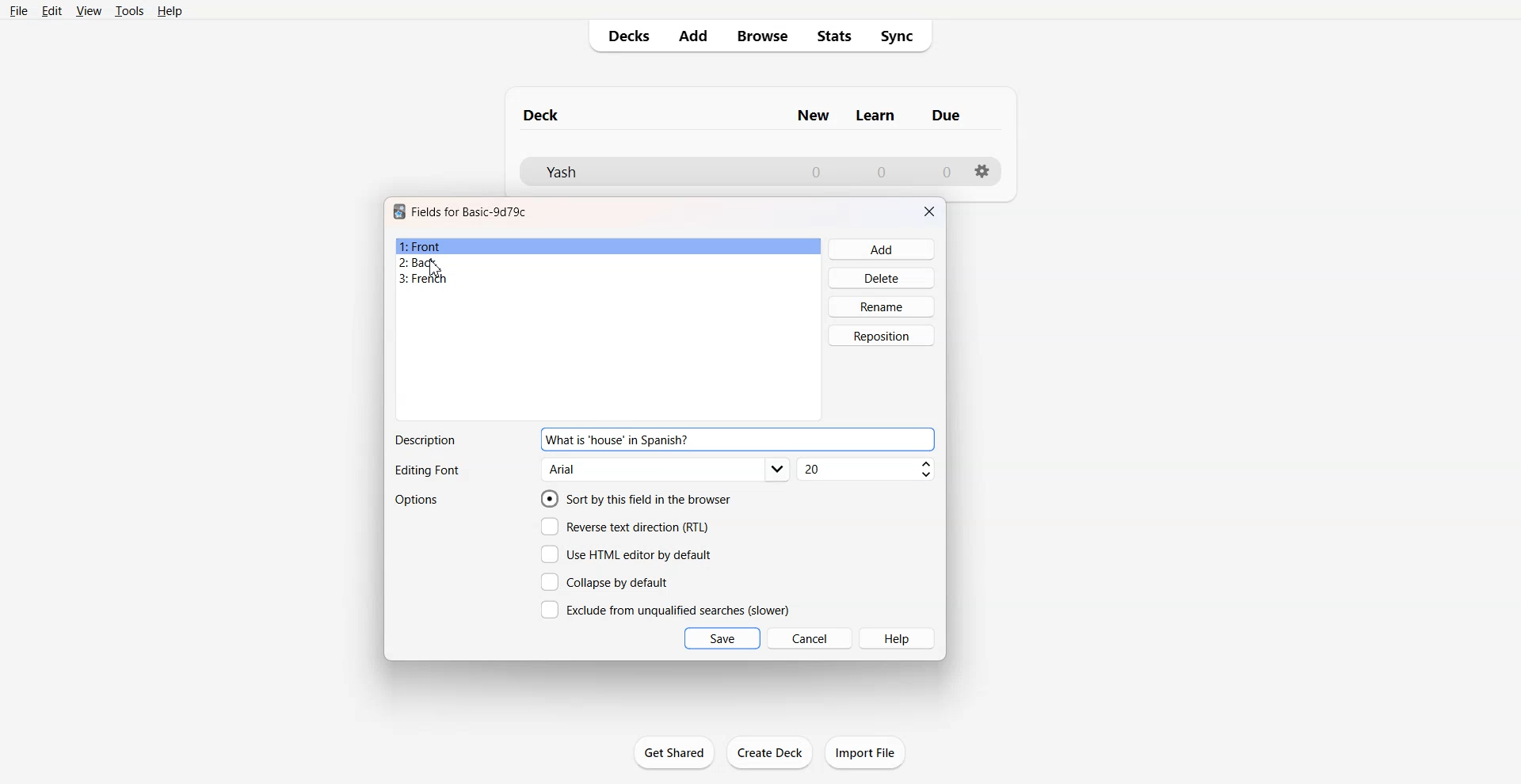 This screenshot has width=1521, height=784. I want to click on Exclude from unqualified searches (slower), so click(665, 609).